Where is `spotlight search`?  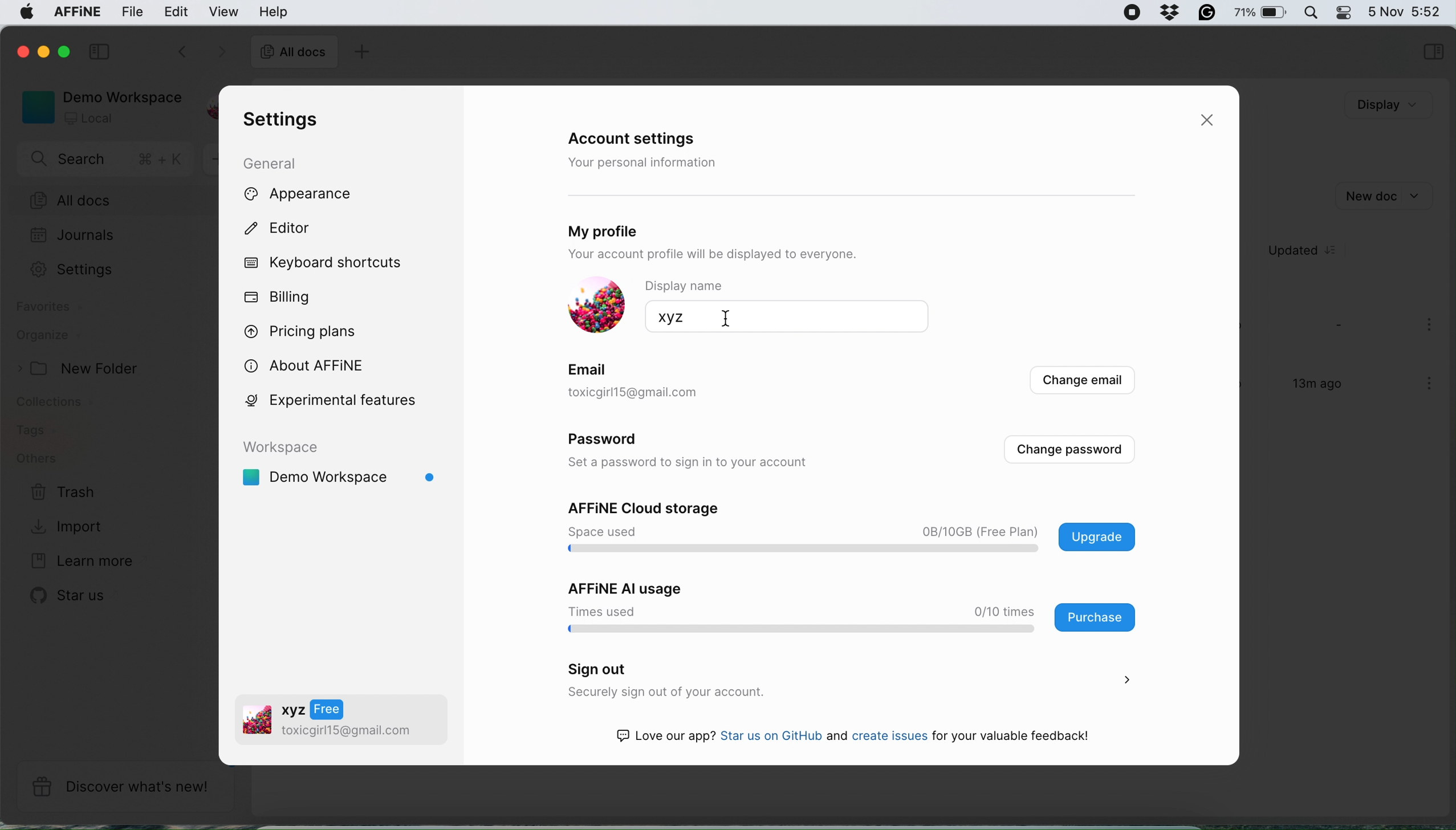 spotlight search is located at coordinates (1309, 12).